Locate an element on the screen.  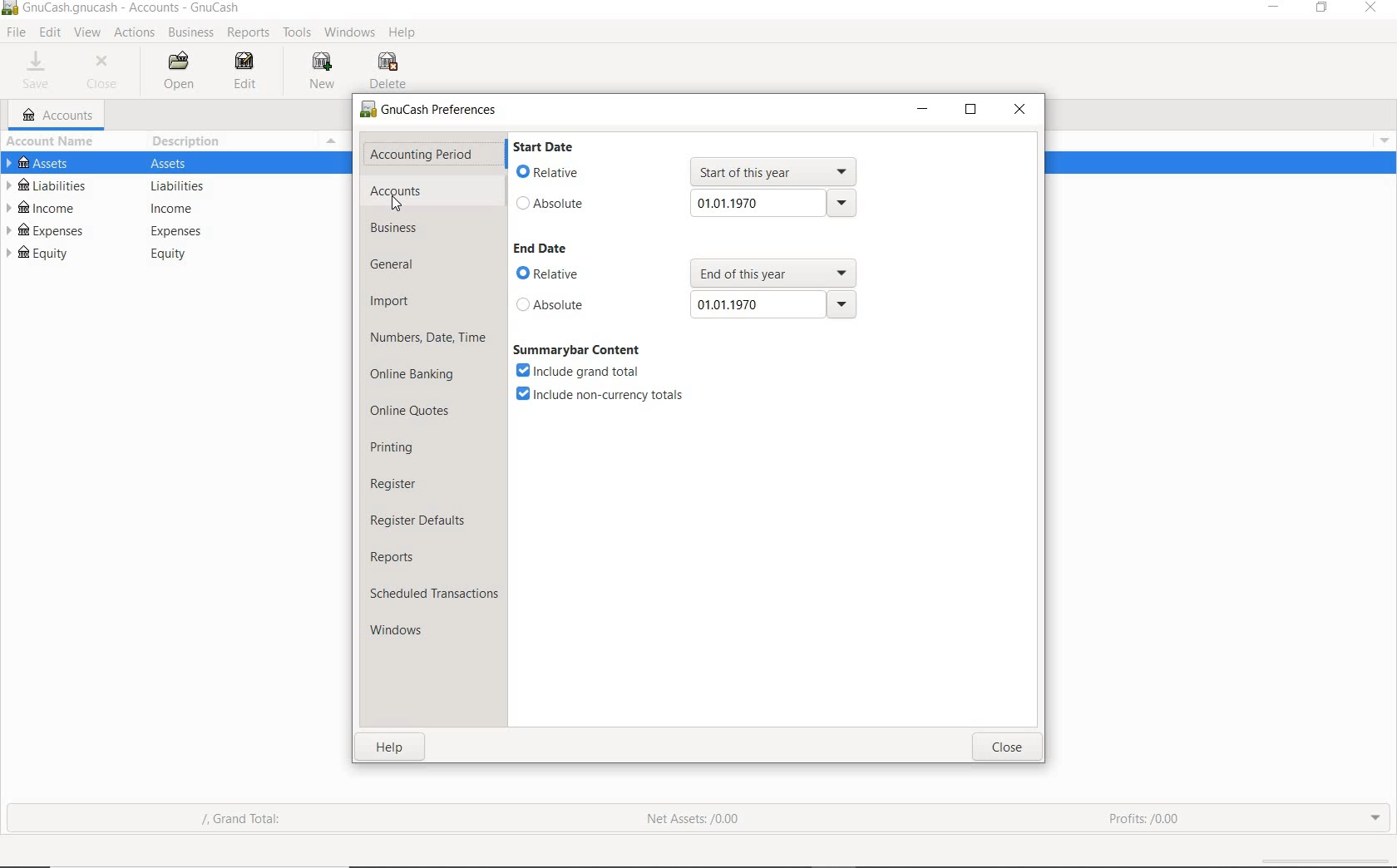
 is located at coordinates (775, 170).